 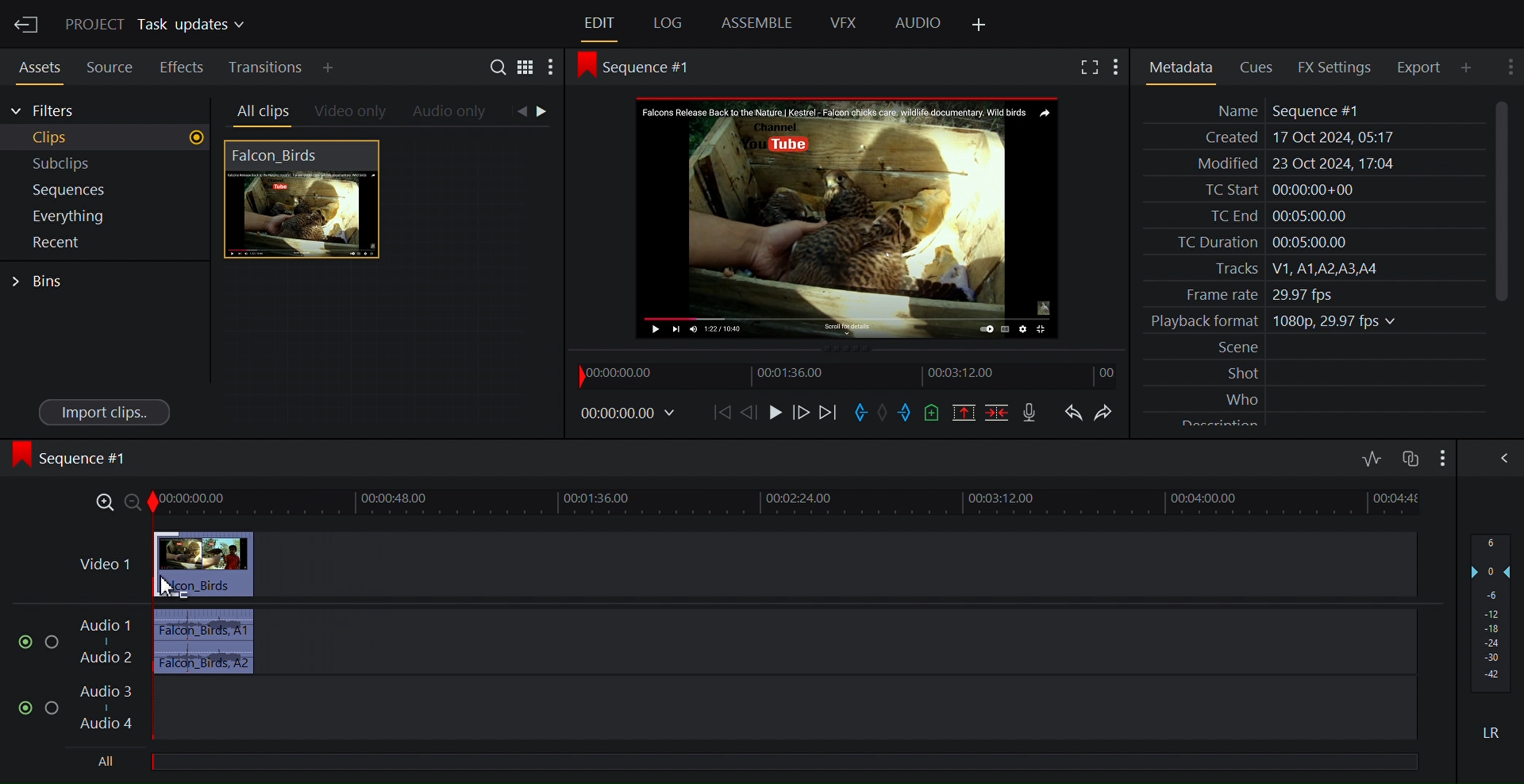 What do you see at coordinates (545, 111) in the screenshot?
I see `Clip to go forward` at bounding box center [545, 111].